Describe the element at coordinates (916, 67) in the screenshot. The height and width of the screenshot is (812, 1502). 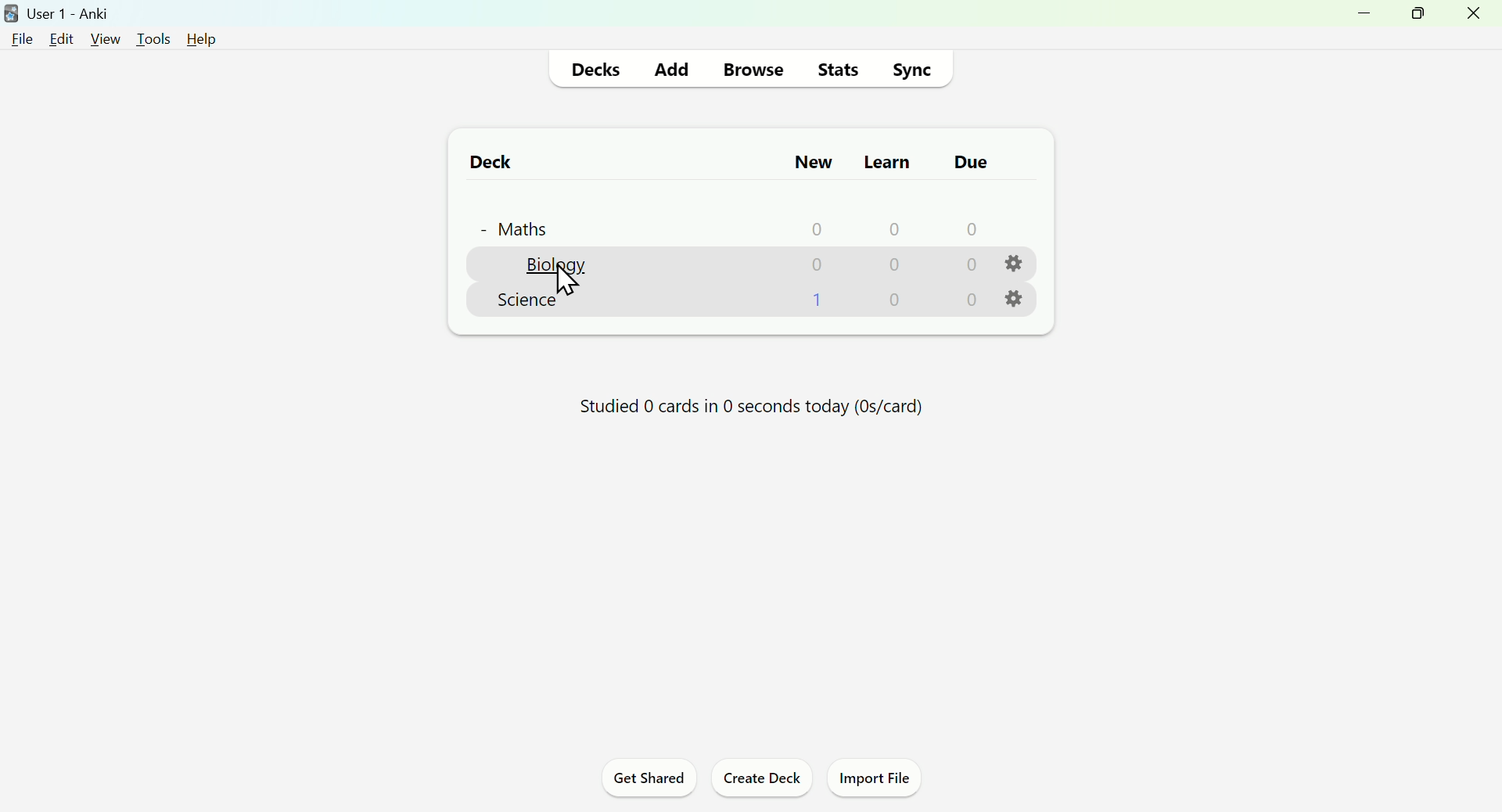
I see `Sync` at that location.